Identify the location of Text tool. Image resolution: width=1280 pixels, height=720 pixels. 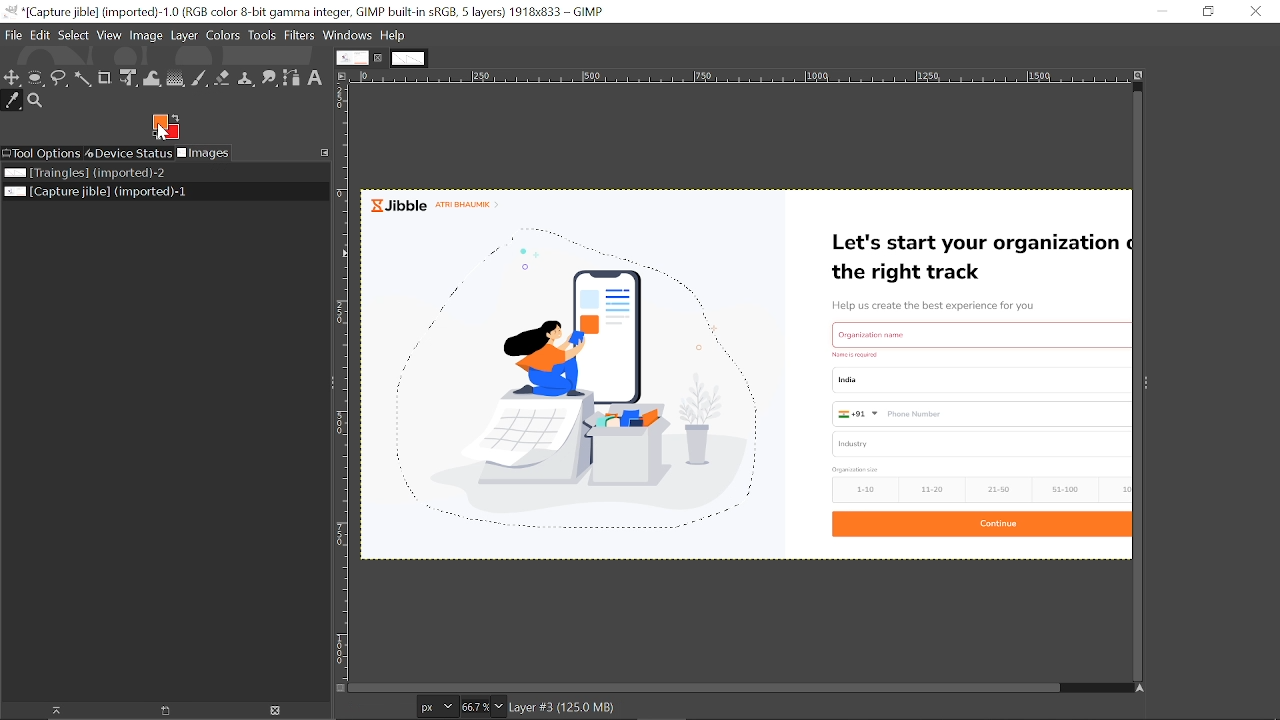
(315, 78).